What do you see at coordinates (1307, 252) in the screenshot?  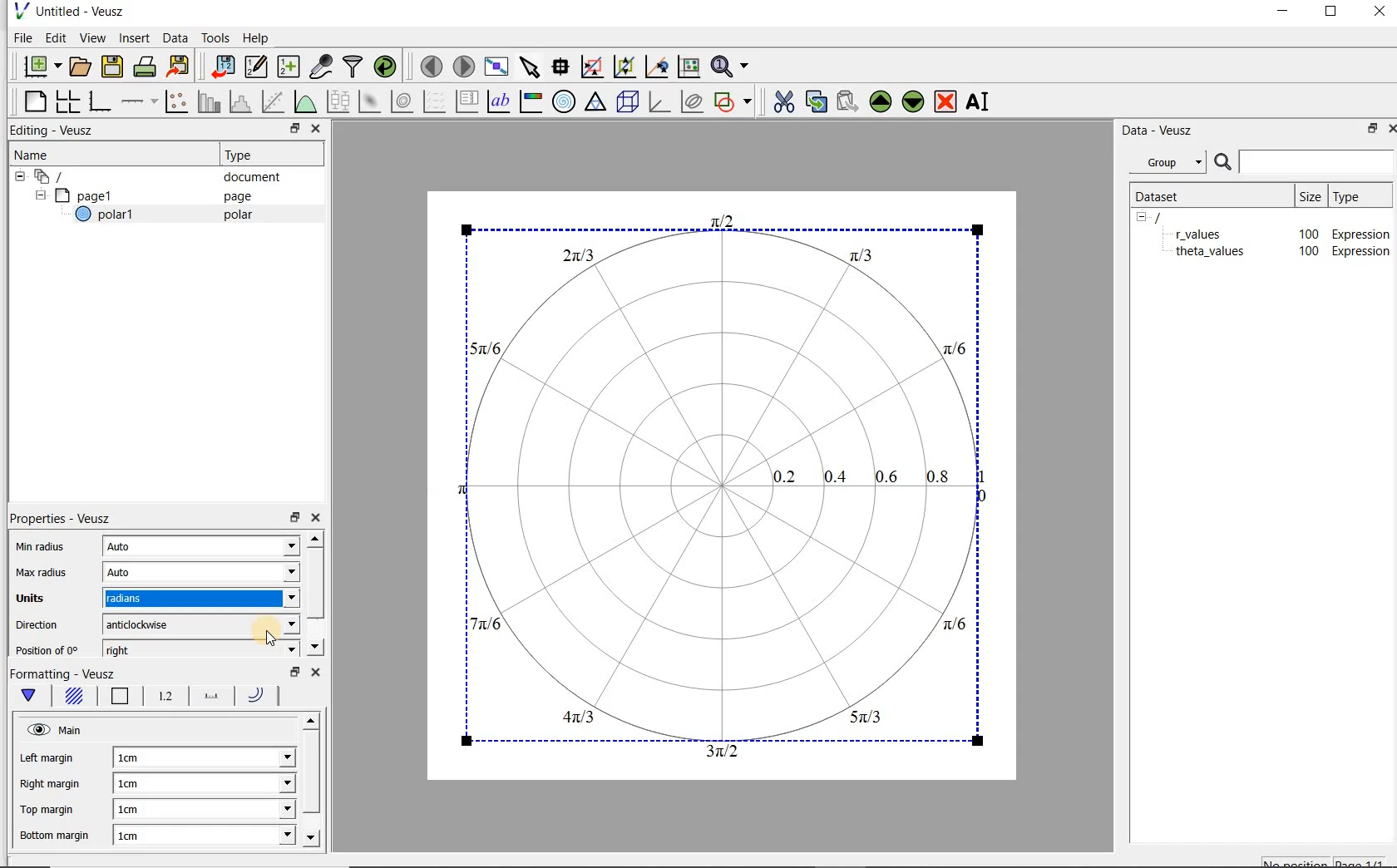 I see `100` at bounding box center [1307, 252].